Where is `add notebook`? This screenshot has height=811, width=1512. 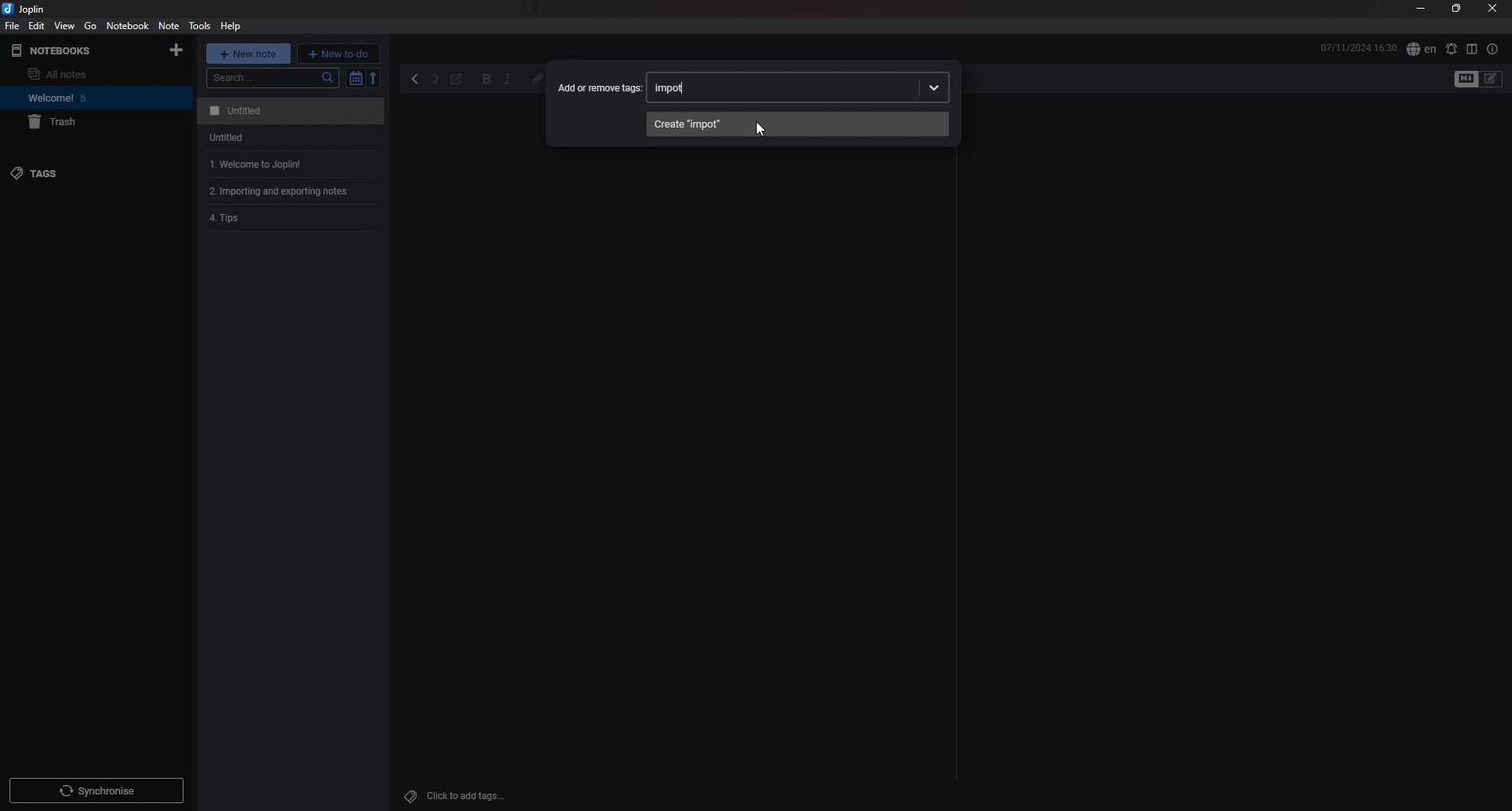 add notebook is located at coordinates (176, 50).